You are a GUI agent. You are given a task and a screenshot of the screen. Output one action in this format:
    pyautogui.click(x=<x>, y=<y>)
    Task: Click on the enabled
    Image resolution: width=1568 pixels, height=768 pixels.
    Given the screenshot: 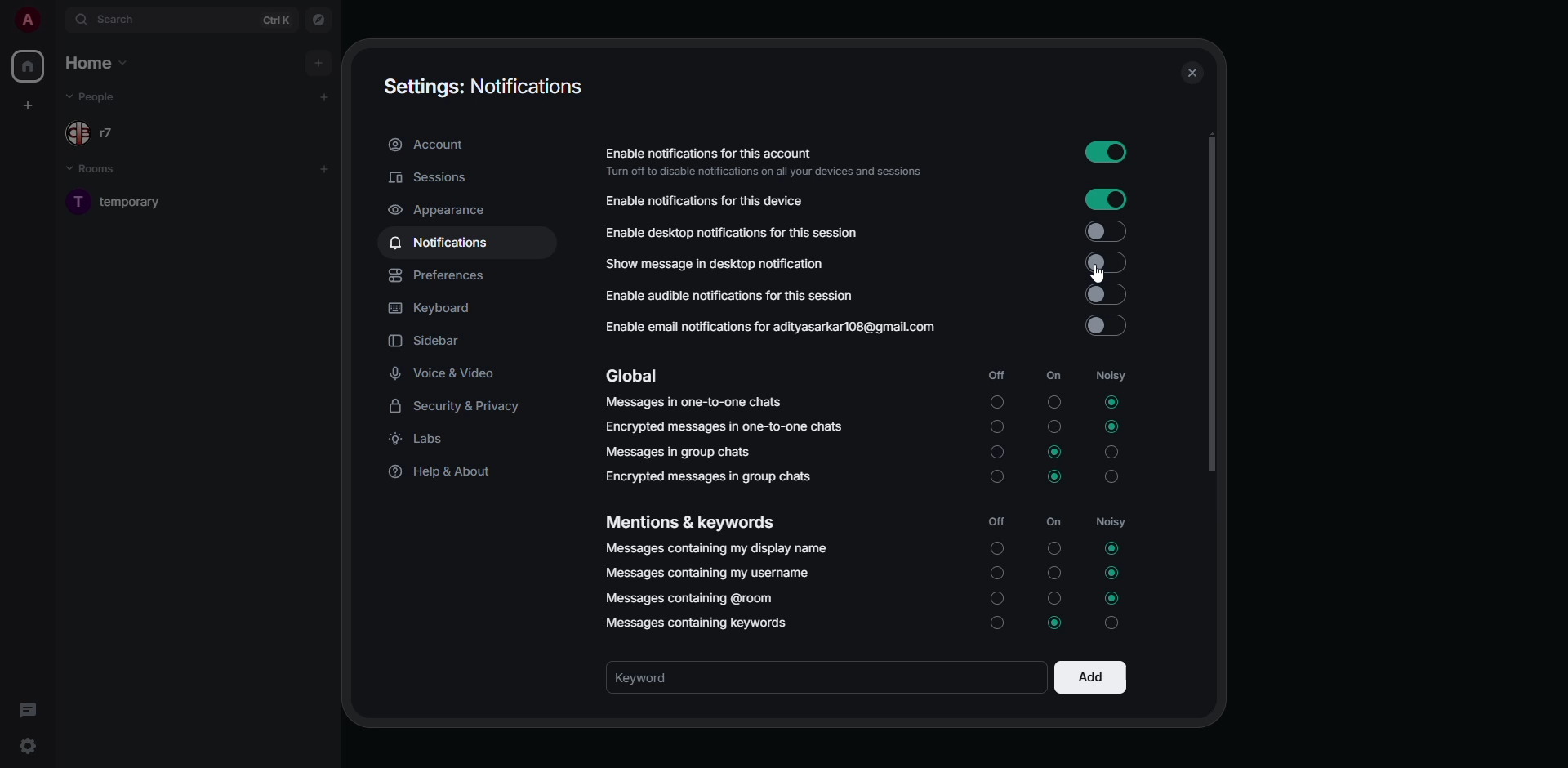 What is the action you would take?
    pyautogui.click(x=1107, y=151)
    